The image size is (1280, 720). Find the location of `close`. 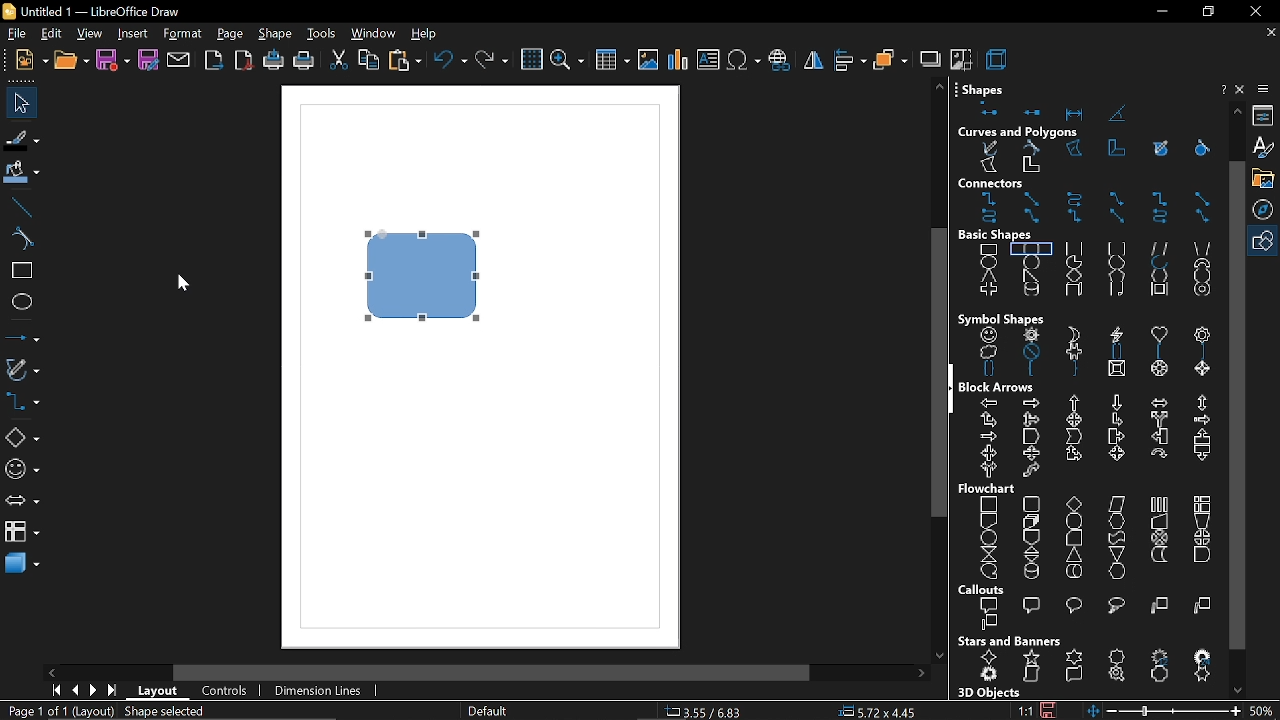

close is located at coordinates (1254, 11).